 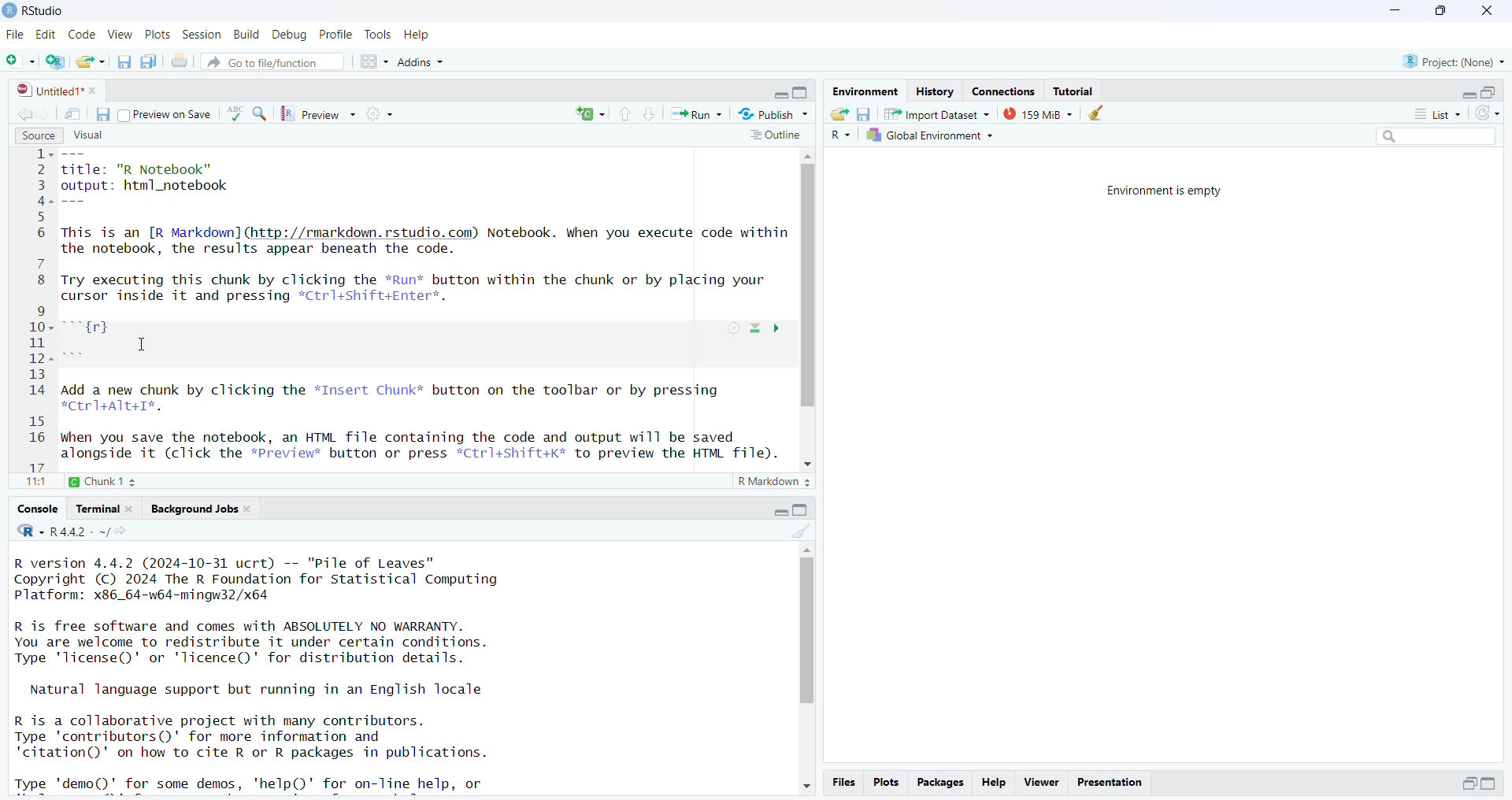 What do you see at coordinates (382, 113) in the screenshot?
I see `compile report` at bounding box center [382, 113].